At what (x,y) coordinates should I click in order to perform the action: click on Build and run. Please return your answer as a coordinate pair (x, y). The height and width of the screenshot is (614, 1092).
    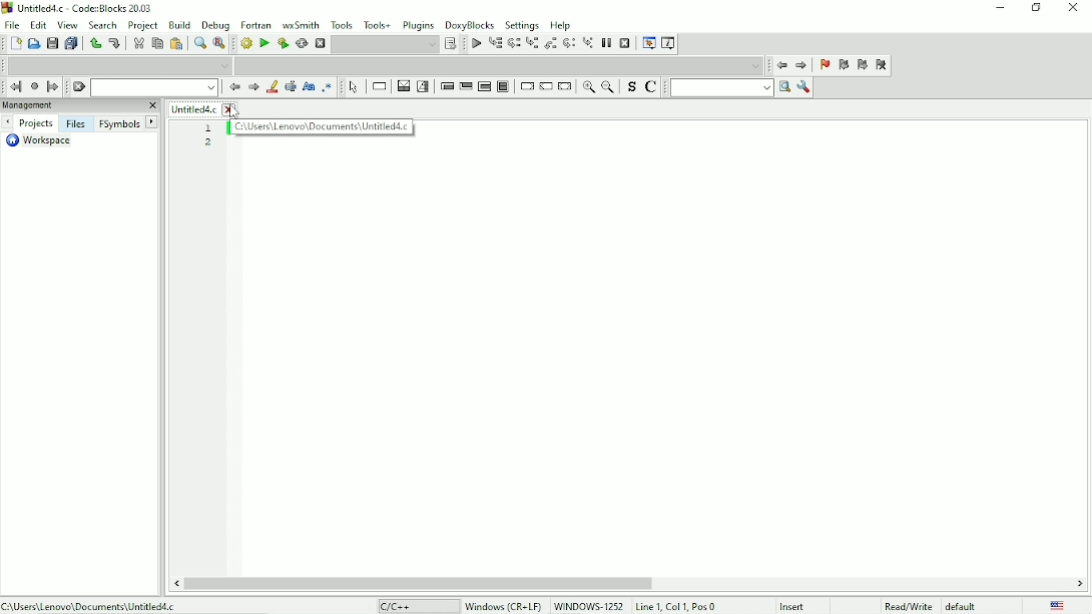
    Looking at the image, I should click on (282, 43).